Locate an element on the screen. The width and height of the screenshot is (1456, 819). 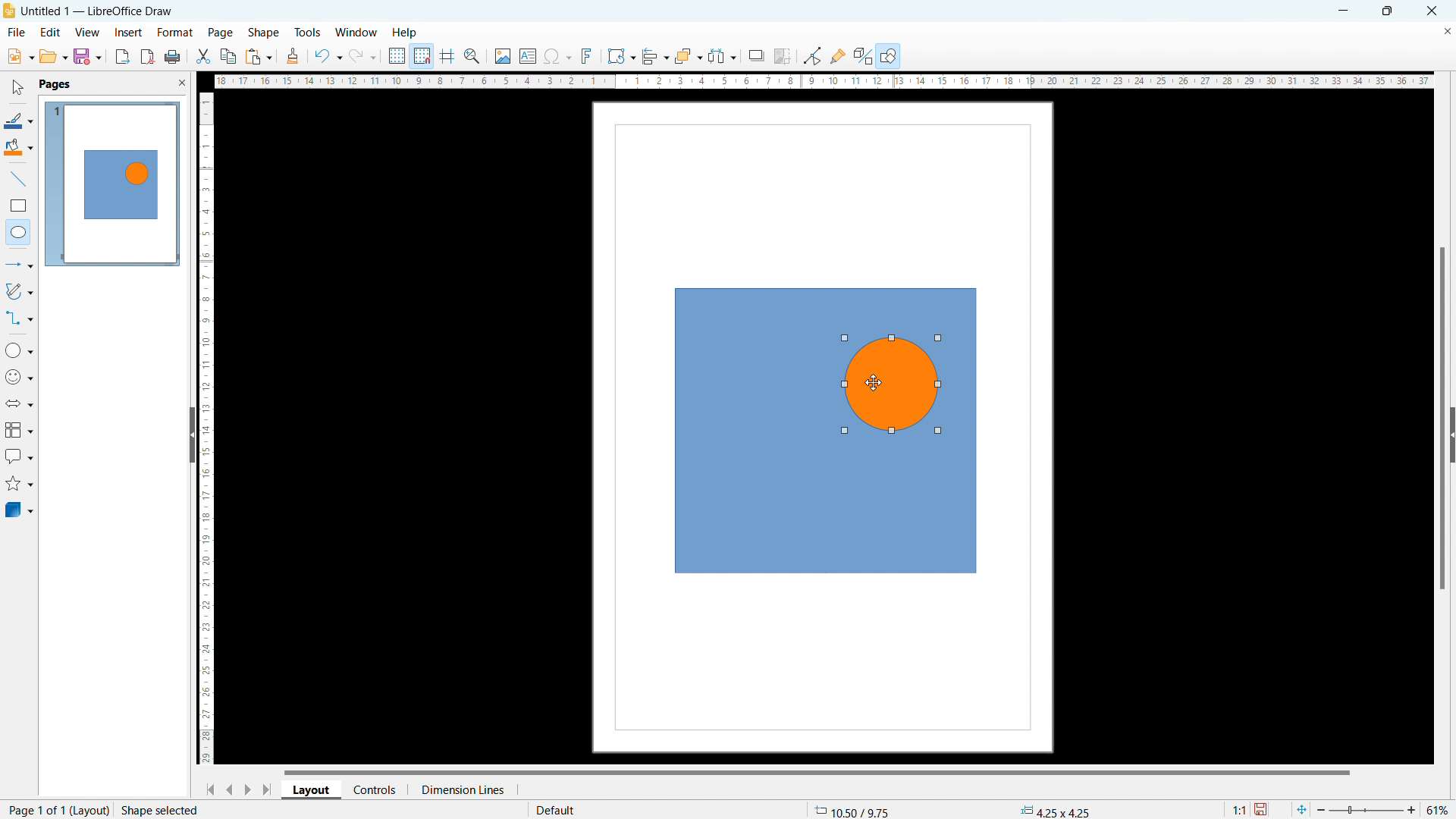
show draw functions is located at coordinates (890, 57).